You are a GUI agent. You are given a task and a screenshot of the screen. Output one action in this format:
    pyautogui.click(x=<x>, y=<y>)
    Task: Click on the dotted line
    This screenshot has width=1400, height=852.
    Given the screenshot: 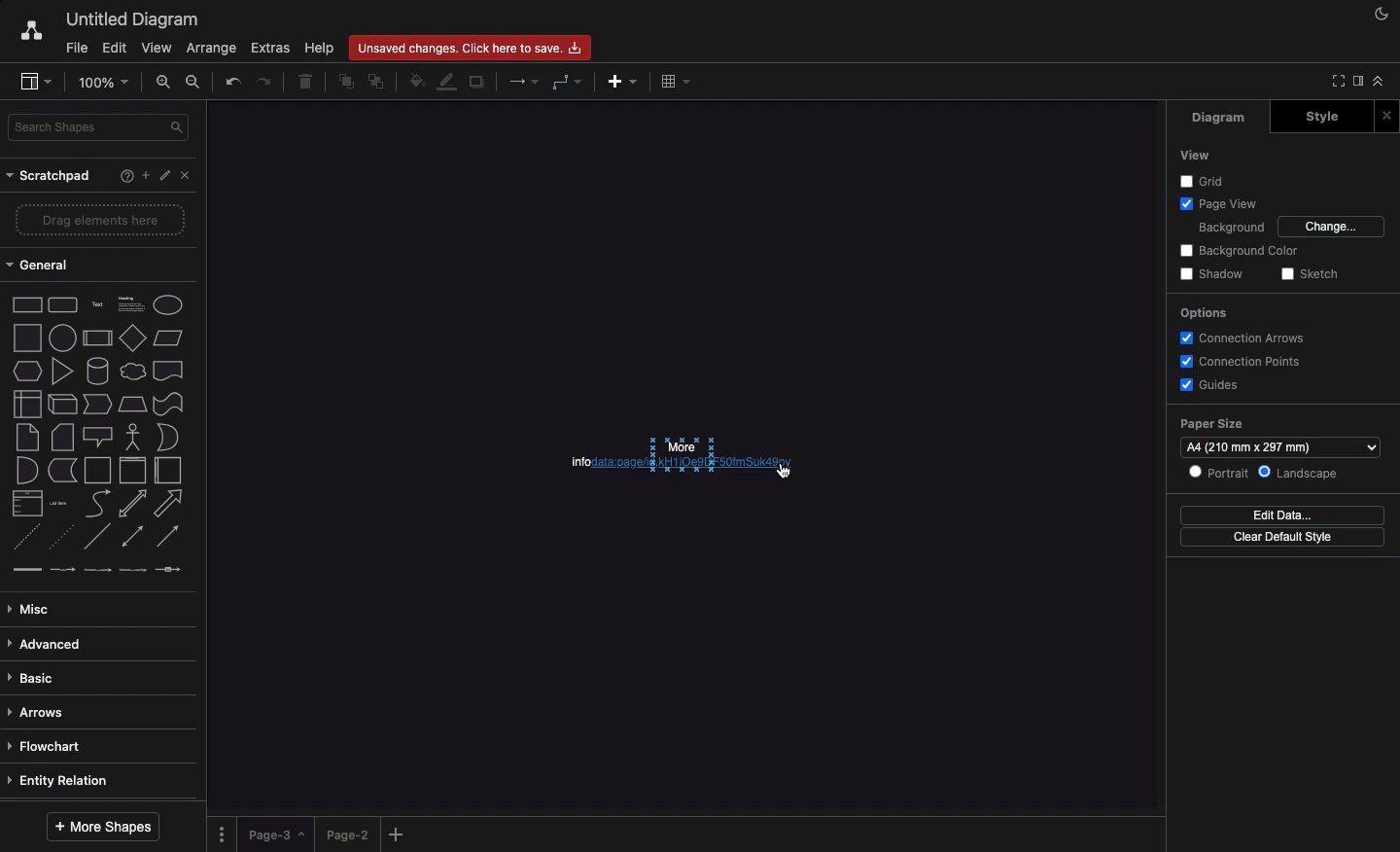 What is the action you would take?
    pyautogui.click(x=59, y=536)
    